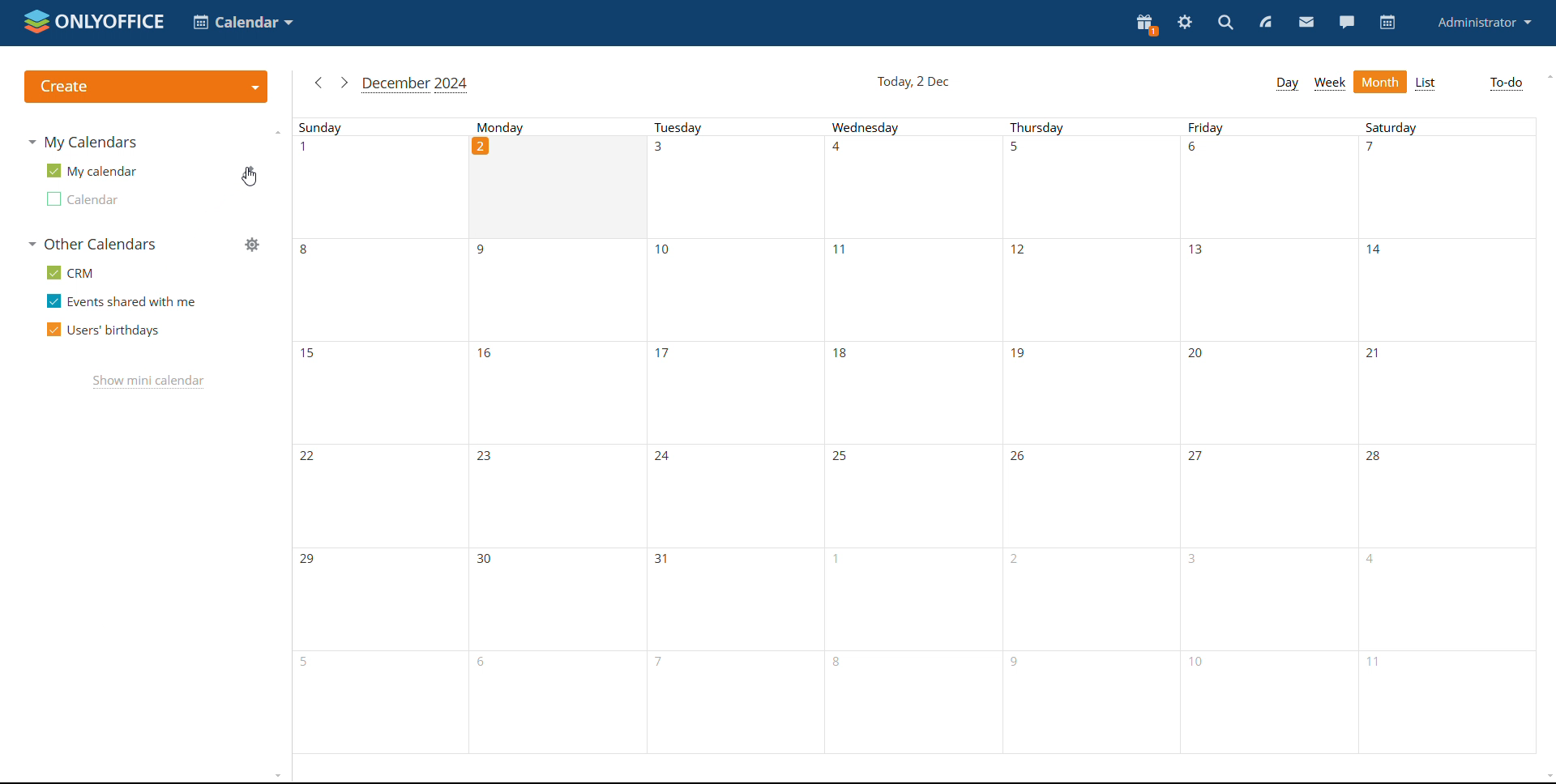  Describe the element at coordinates (908, 445) in the screenshot. I see `wednesday` at that location.